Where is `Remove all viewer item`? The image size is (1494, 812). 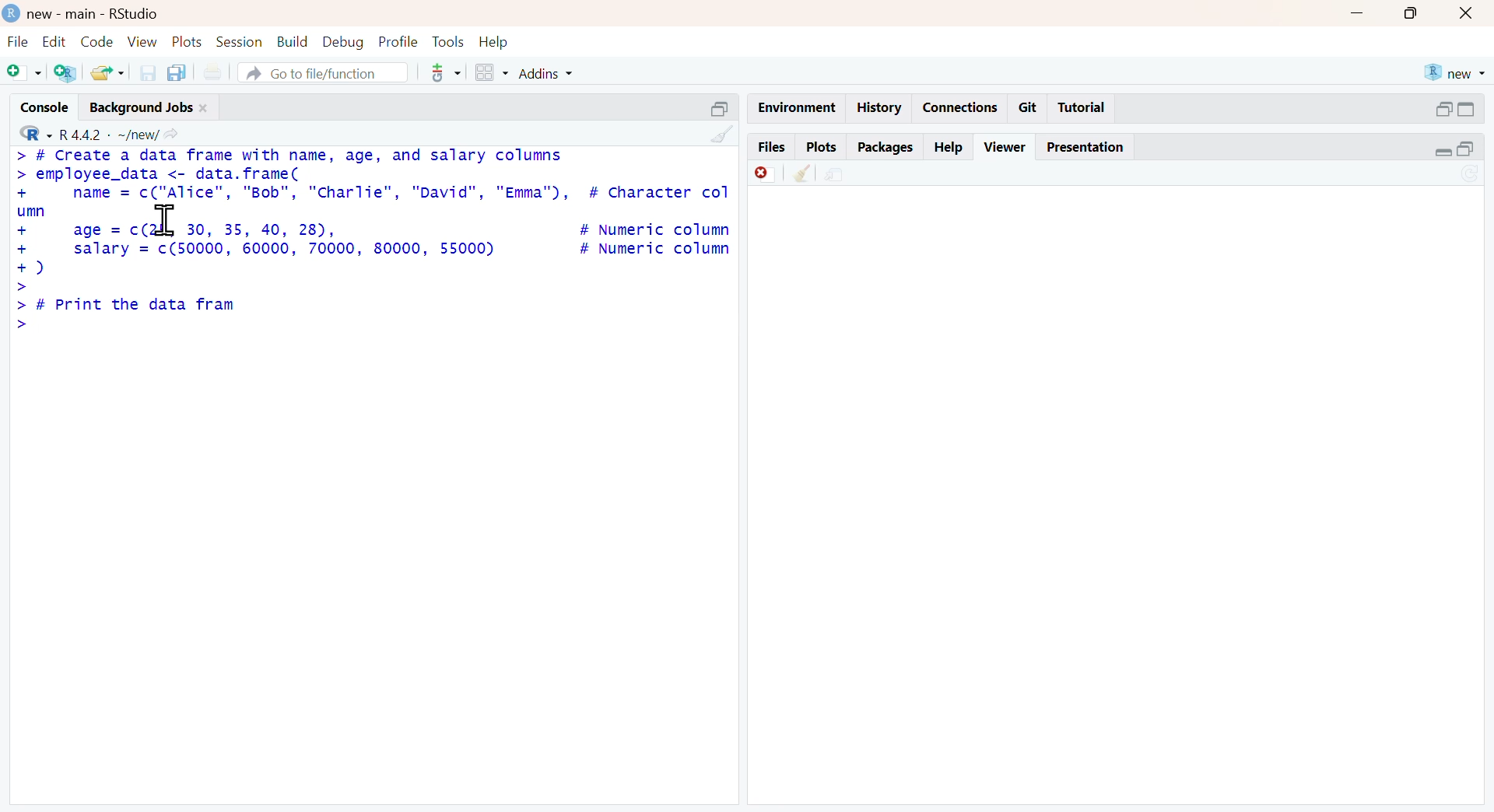
Remove all viewer item is located at coordinates (801, 177).